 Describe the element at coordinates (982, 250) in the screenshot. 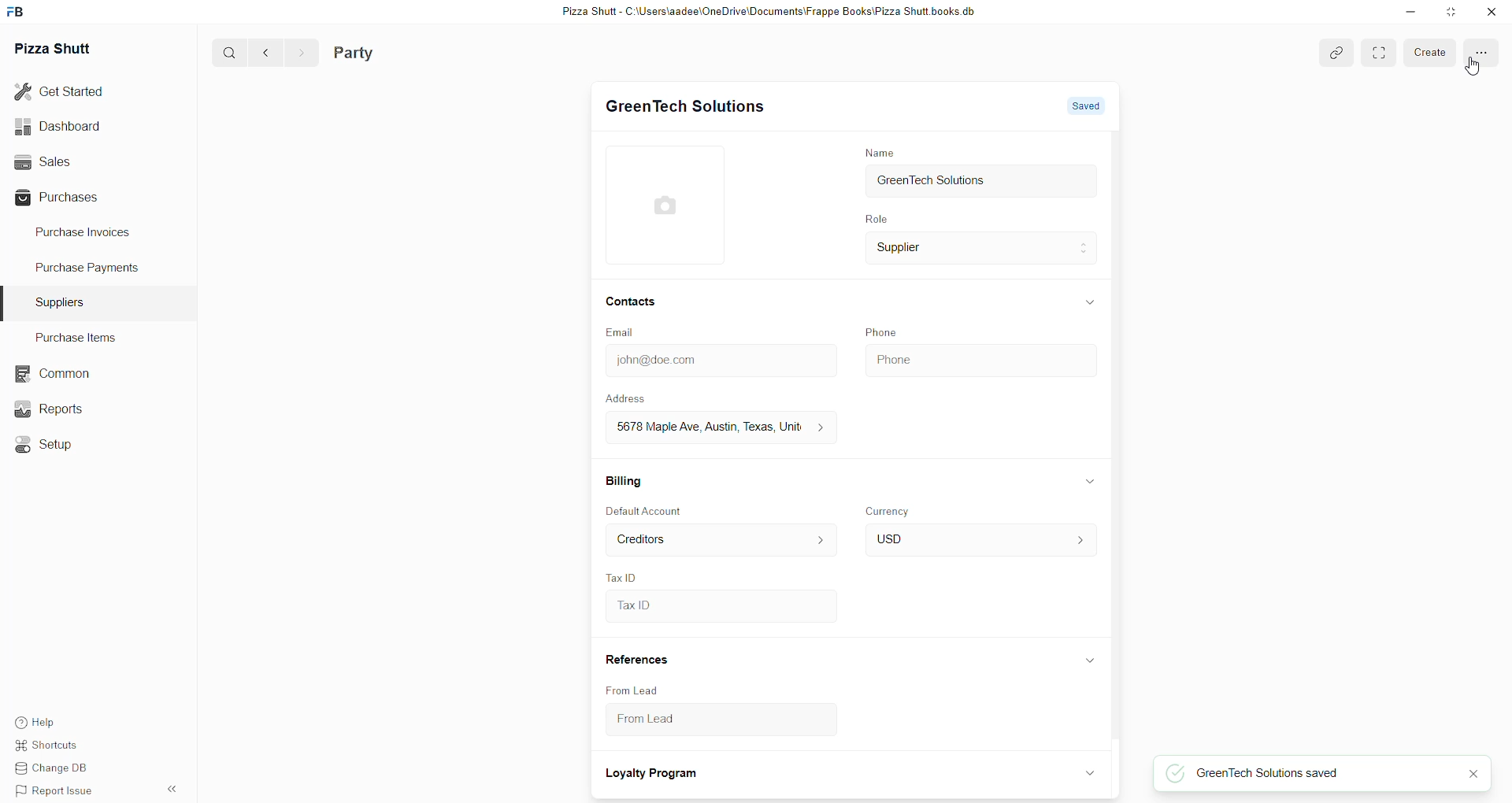

I see `Supplier` at that location.